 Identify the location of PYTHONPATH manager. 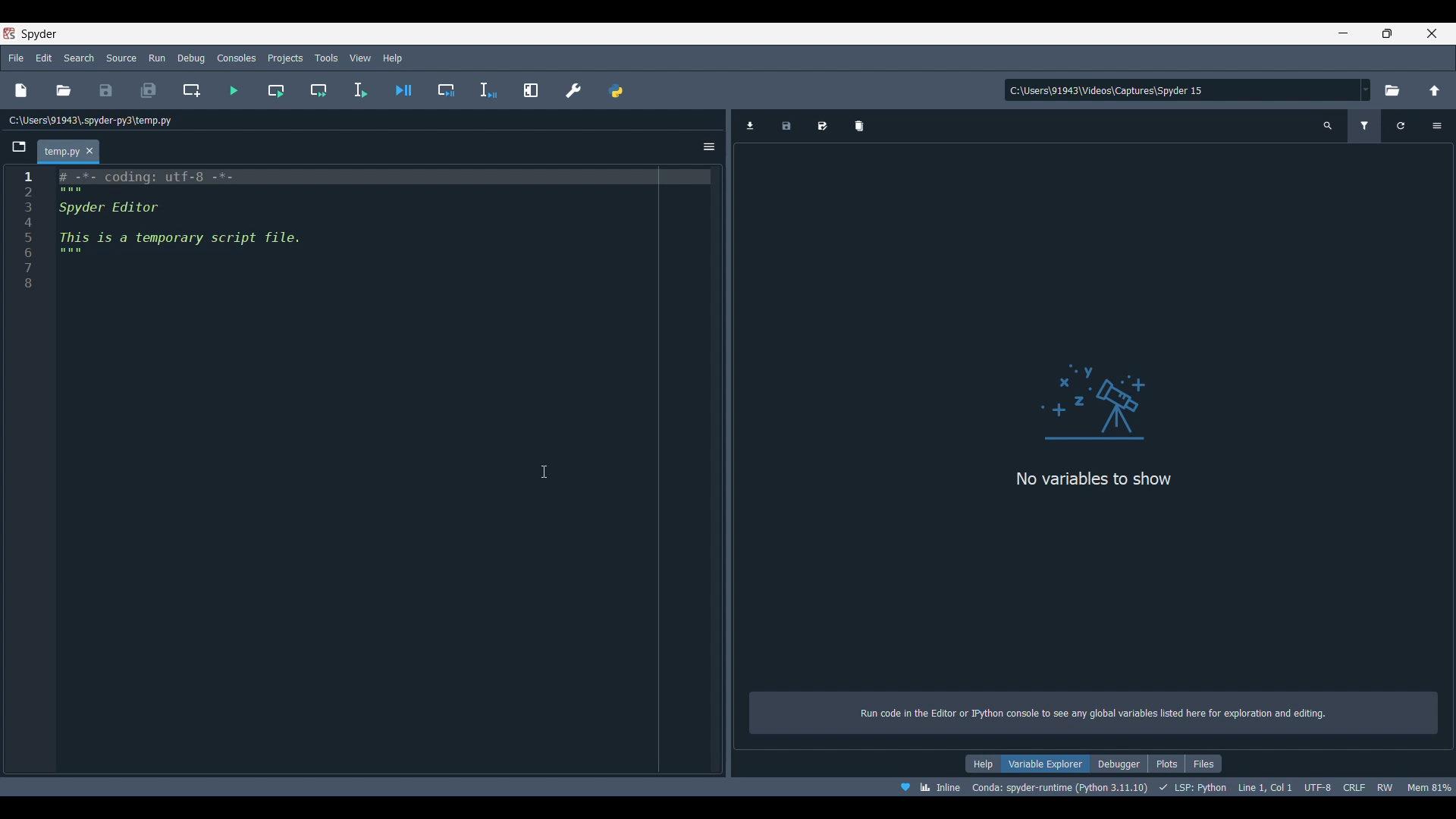
(616, 90).